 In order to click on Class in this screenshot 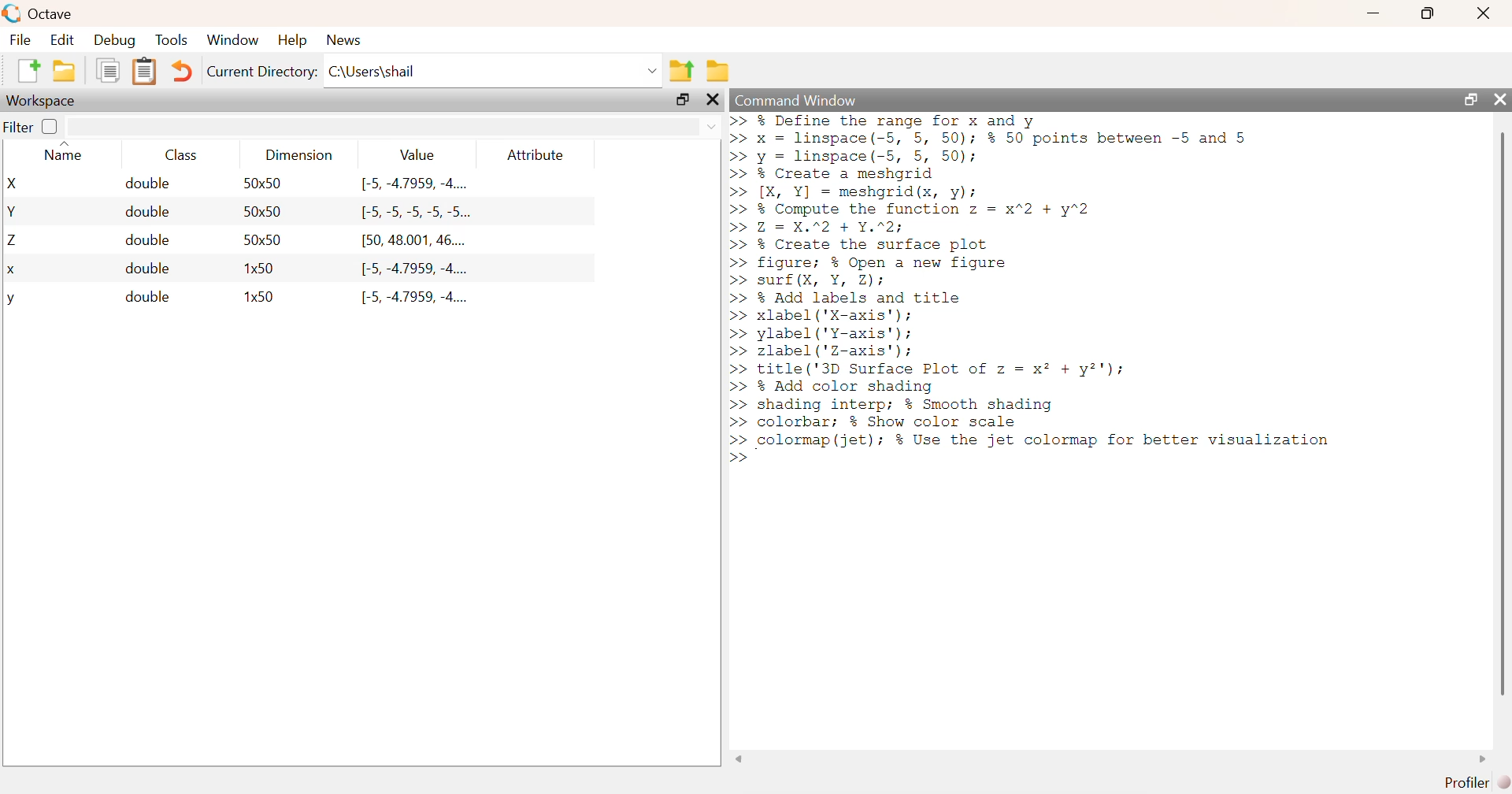, I will do `click(181, 154)`.